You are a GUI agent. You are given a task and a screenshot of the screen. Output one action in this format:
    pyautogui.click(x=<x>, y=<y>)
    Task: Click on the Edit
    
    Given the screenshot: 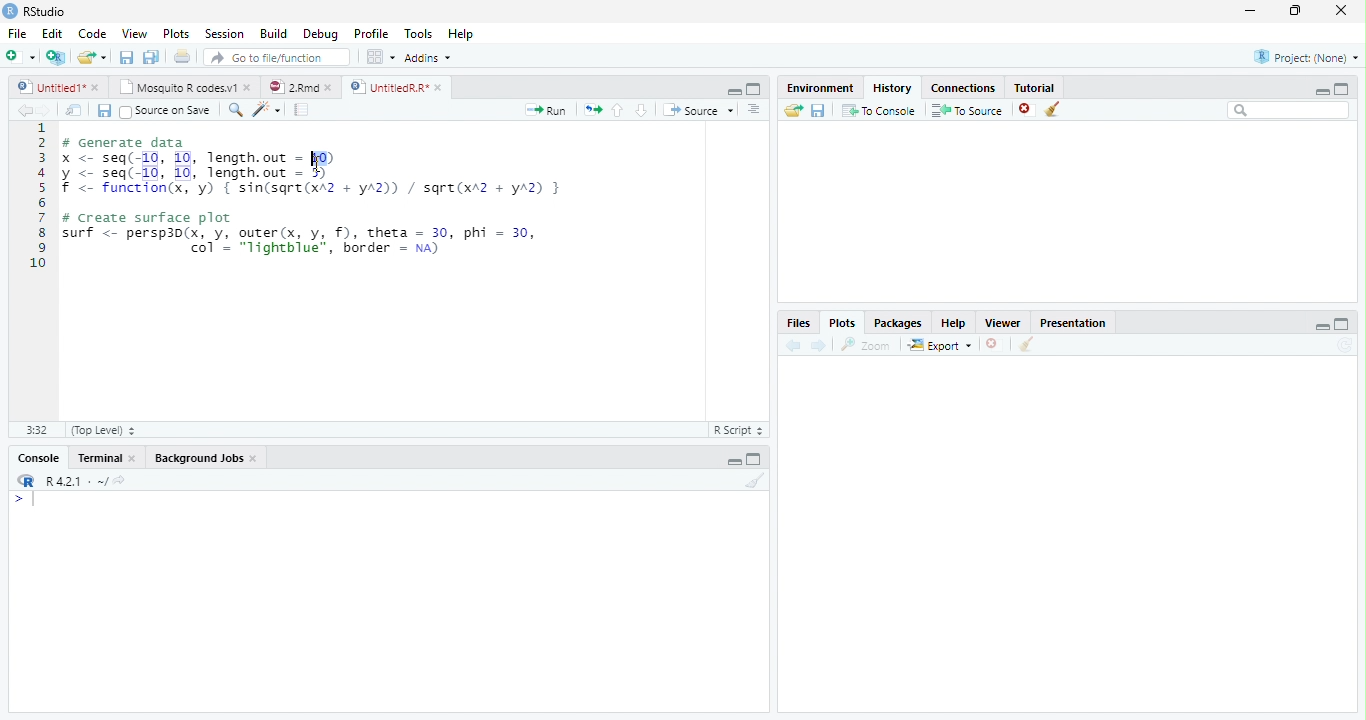 What is the action you would take?
    pyautogui.click(x=51, y=33)
    